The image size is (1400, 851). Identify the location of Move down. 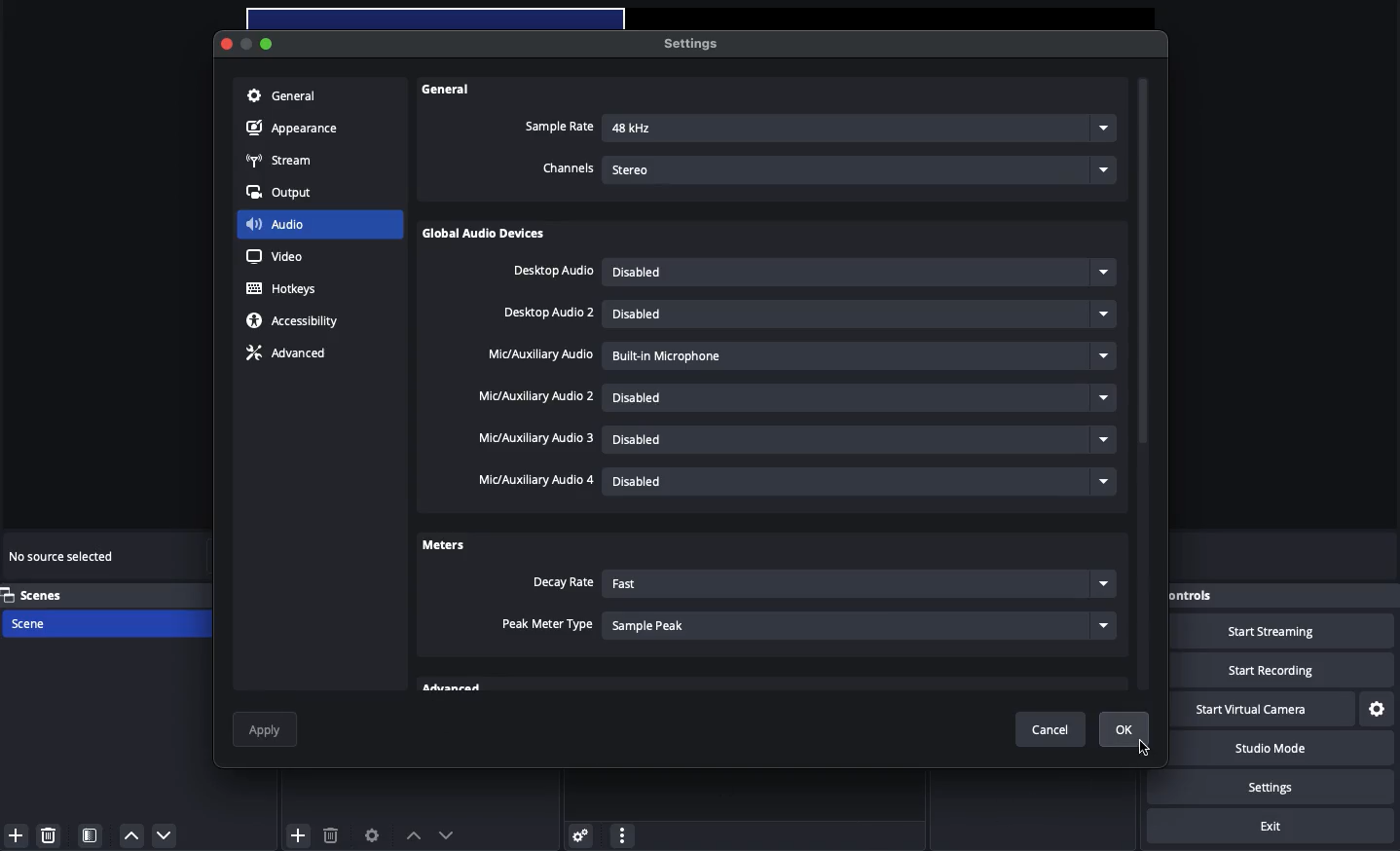
(446, 834).